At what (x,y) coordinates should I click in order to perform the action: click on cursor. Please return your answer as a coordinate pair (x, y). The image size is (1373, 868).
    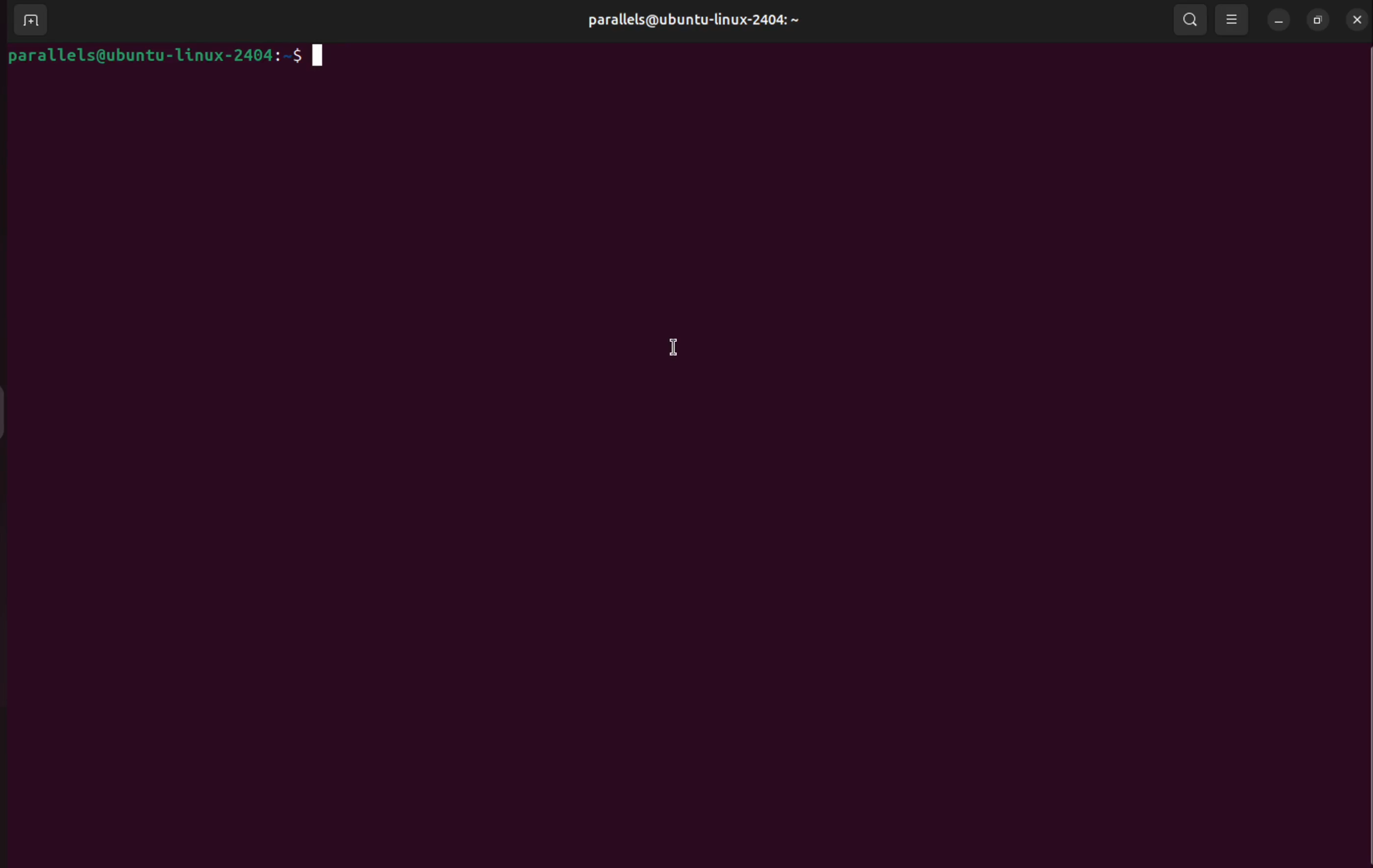
    Looking at the image, I should click on (676, 344).